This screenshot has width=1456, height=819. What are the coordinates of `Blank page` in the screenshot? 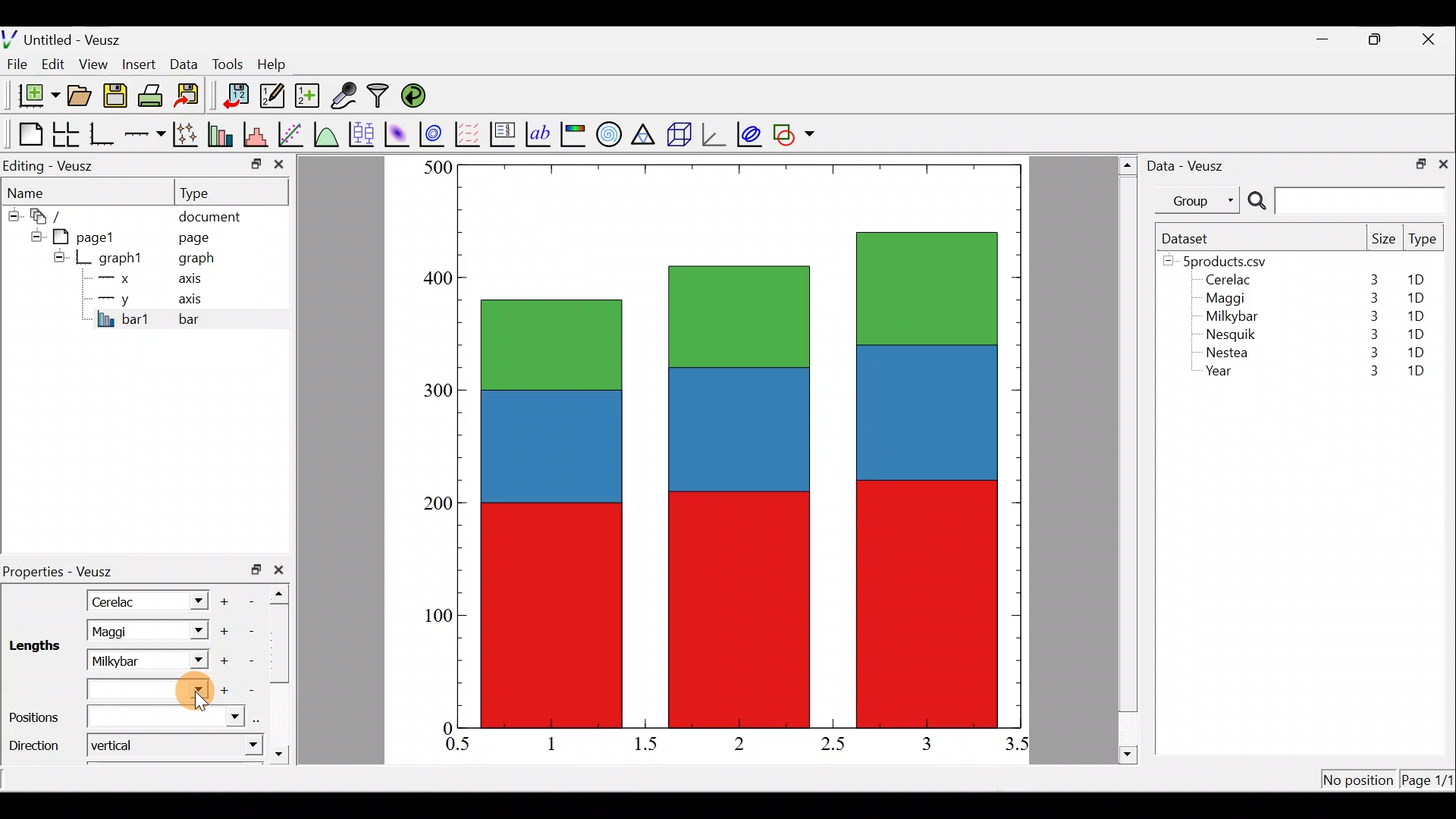 It's located at (27, 134).